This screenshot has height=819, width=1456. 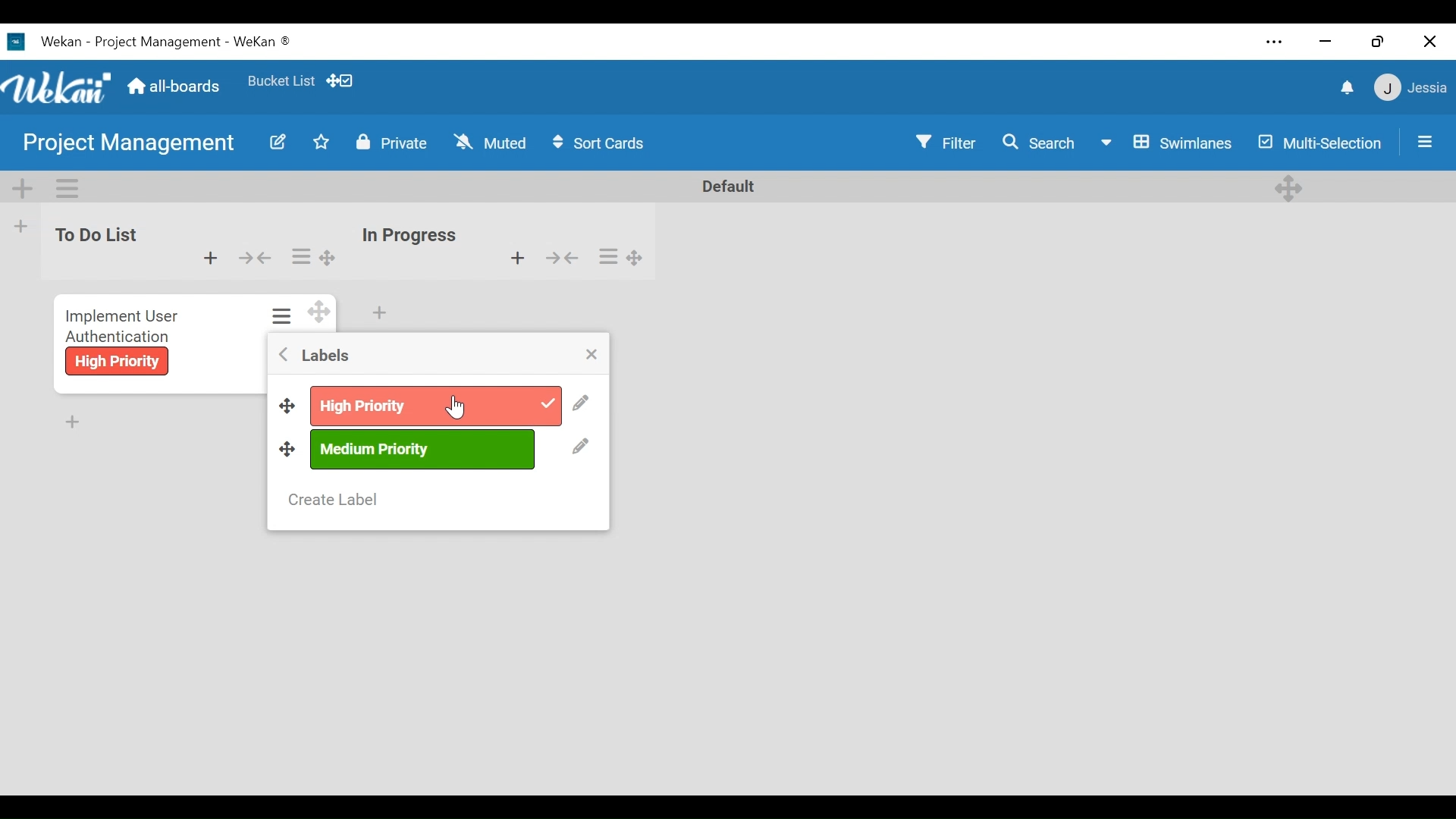 What do you see at coordinates (284, 356) in the screenshot?
I see `previous` at bounding box center [284, 356].